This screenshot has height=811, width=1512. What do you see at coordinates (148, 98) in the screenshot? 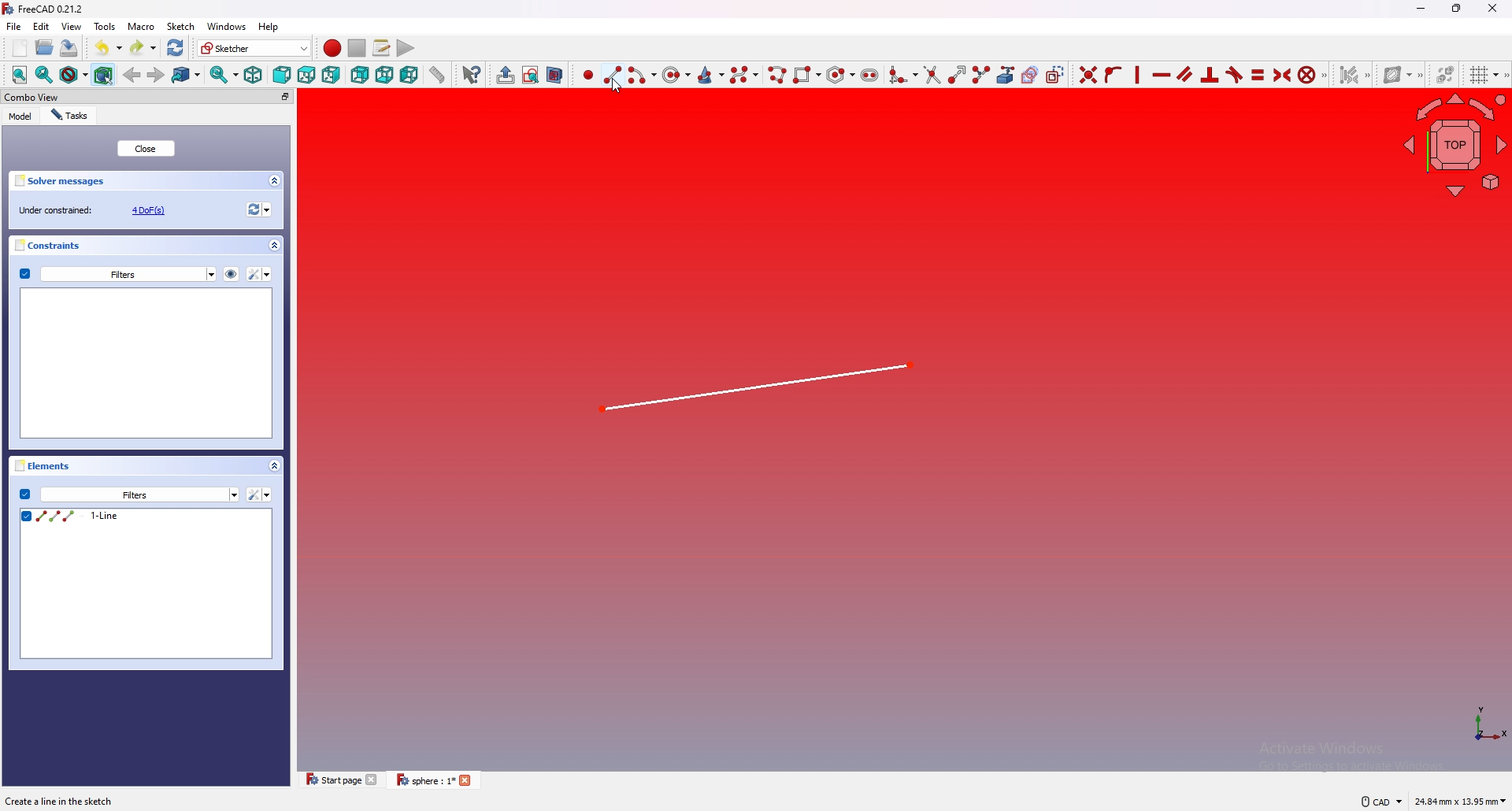
I see `Combo View` at bounding box center [148, 98].